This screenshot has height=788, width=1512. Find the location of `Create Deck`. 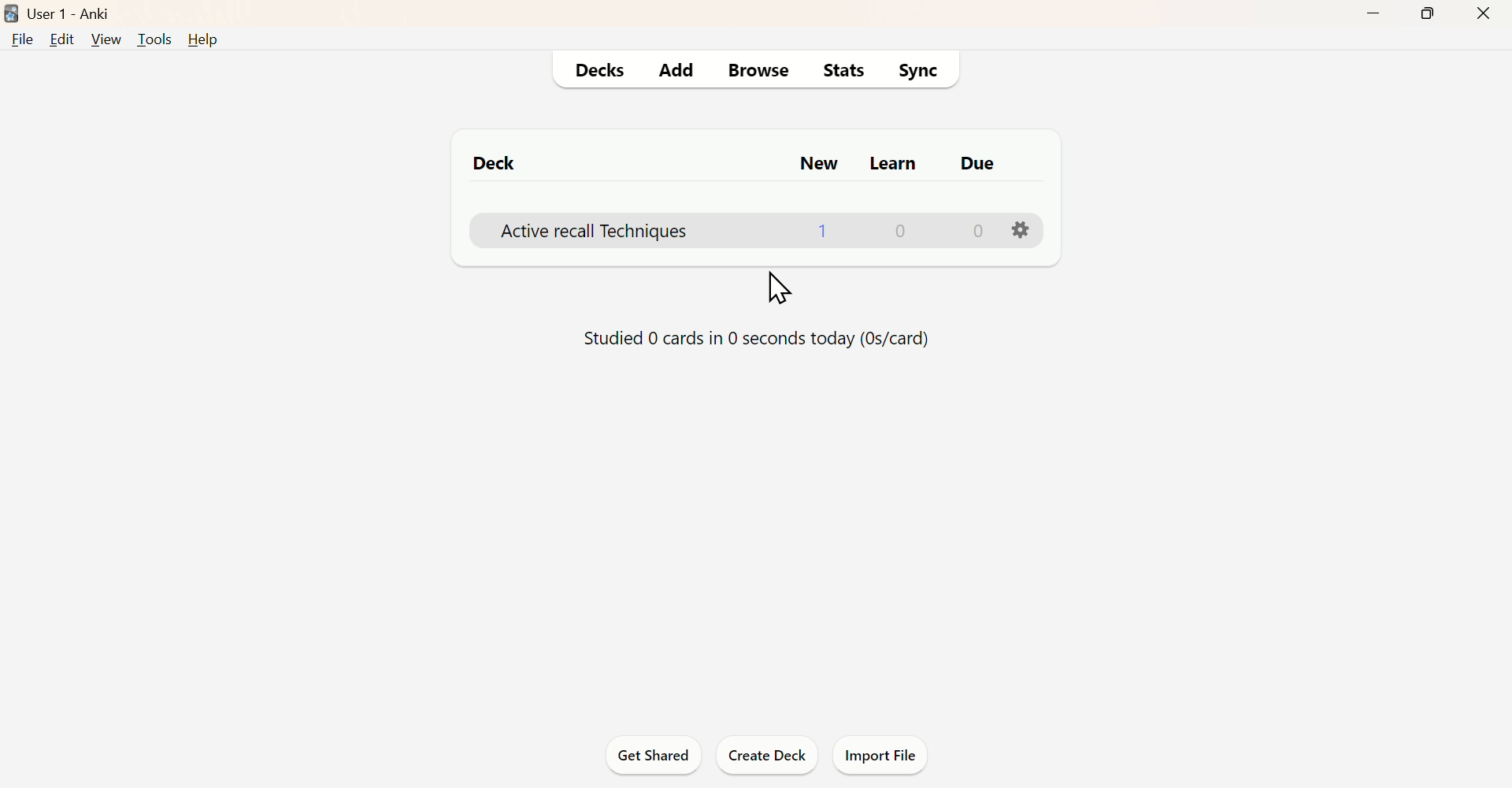

Create Deck is located at coordinates (768, 754).